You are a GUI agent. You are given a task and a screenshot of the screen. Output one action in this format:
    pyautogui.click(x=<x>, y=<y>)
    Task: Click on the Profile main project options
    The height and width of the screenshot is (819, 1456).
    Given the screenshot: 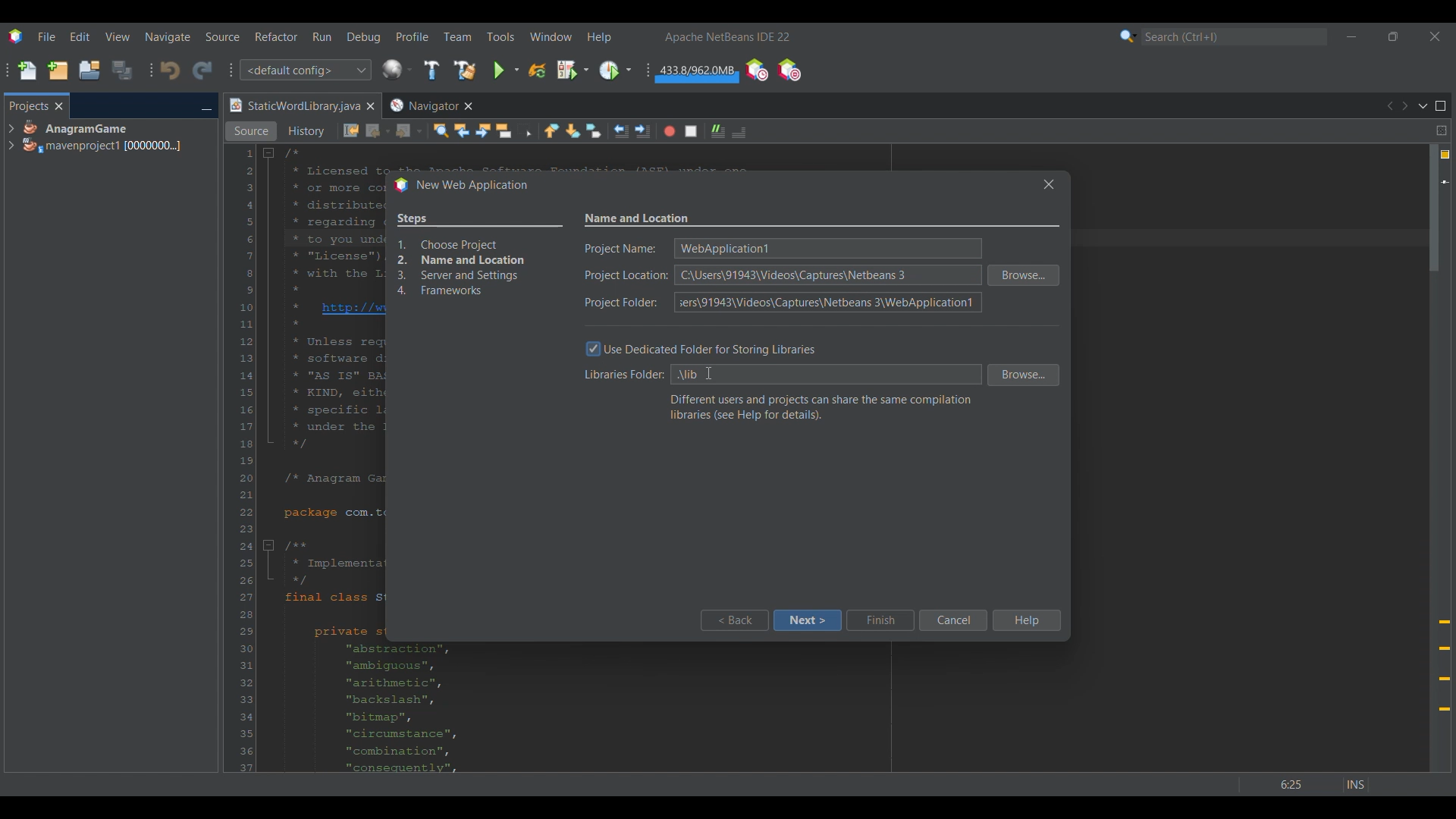 What is the action you would take?
    pyautogui.click(x=615, y=71)
    